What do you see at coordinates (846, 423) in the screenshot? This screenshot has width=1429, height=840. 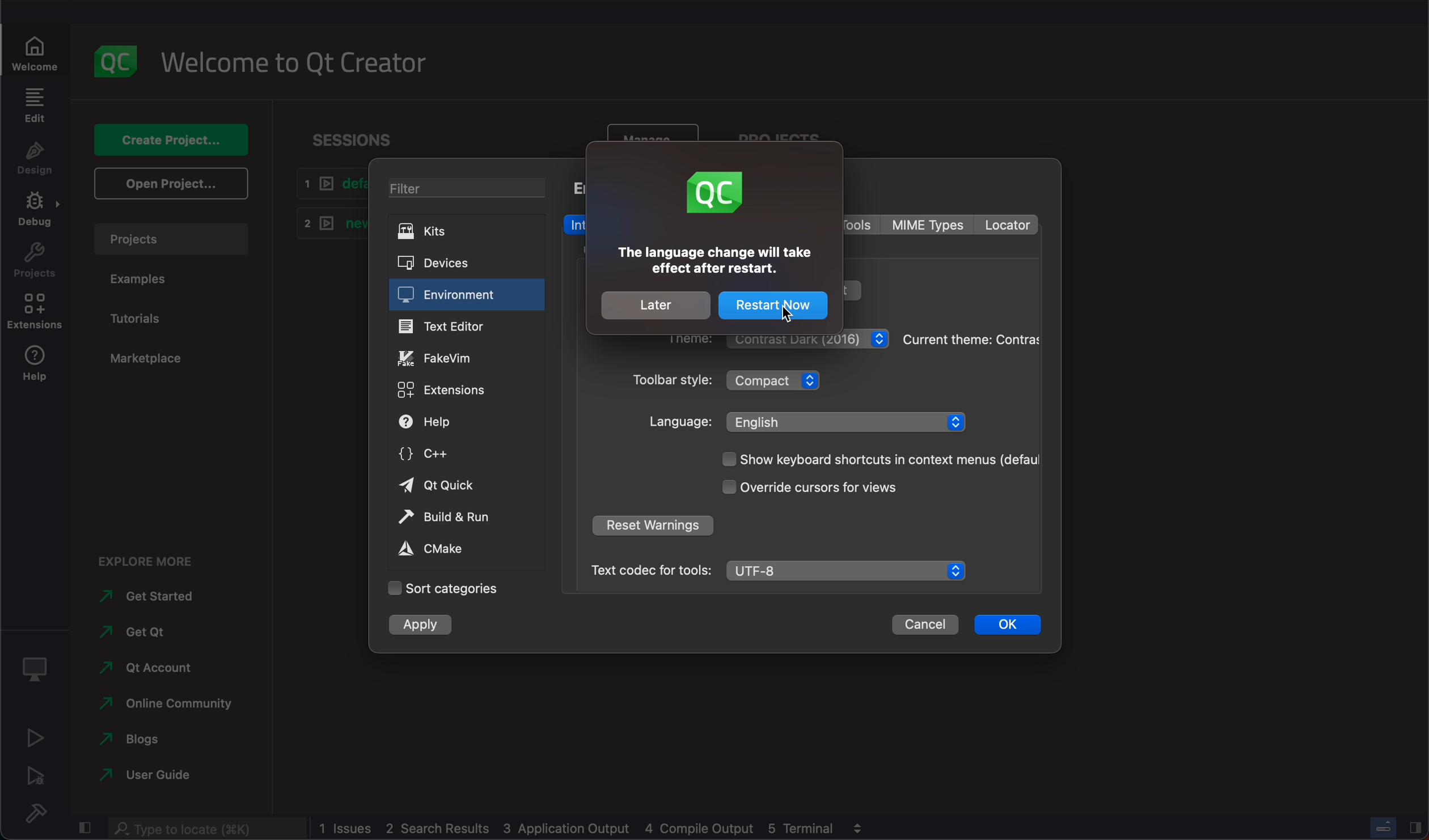 I see `English` at bounding box center [846, 423].